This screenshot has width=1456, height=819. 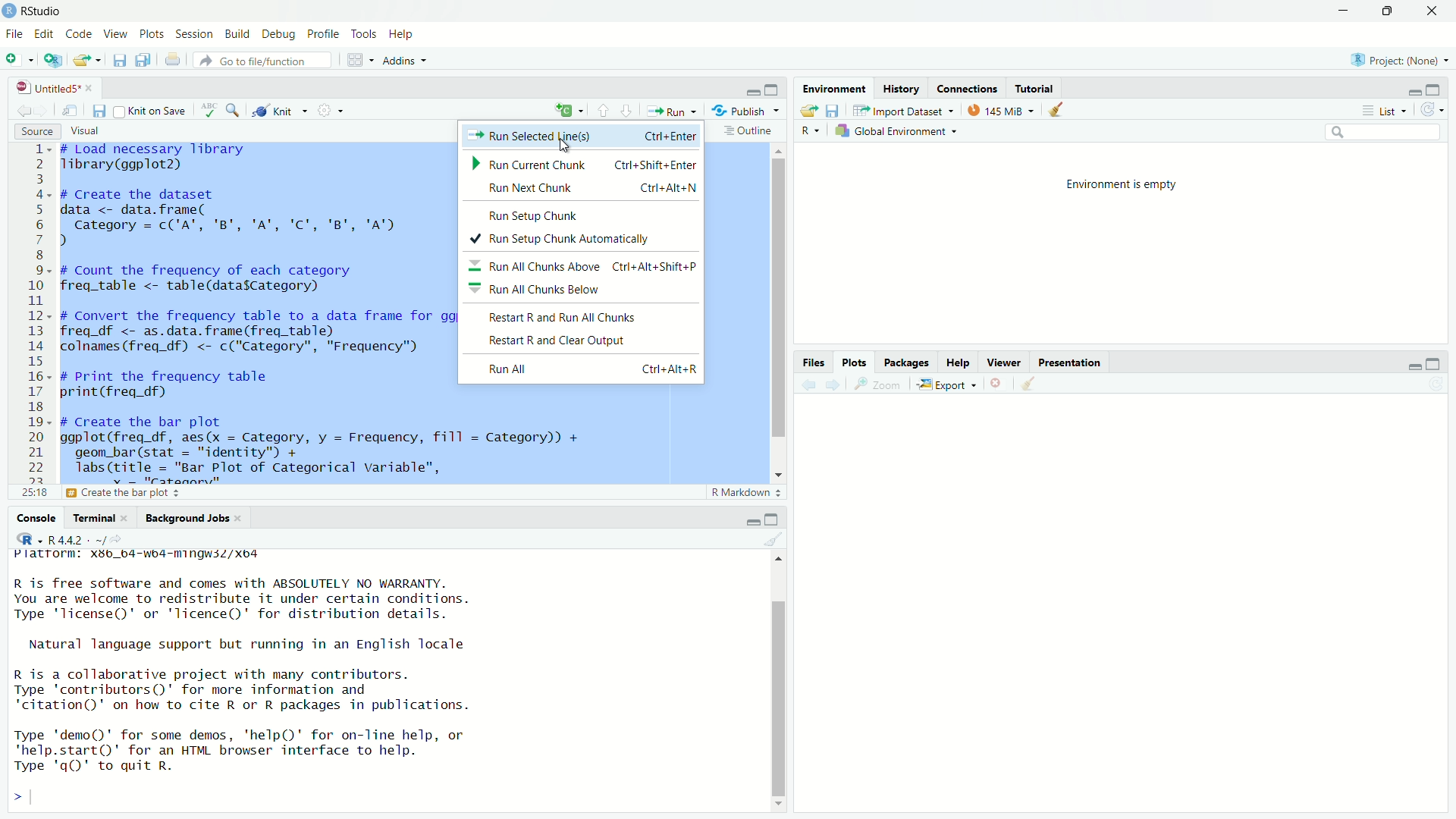 What do you see at coordinates (69, 111) in the screenshot?
I see `open in new window` at bounding box center [69, 111].